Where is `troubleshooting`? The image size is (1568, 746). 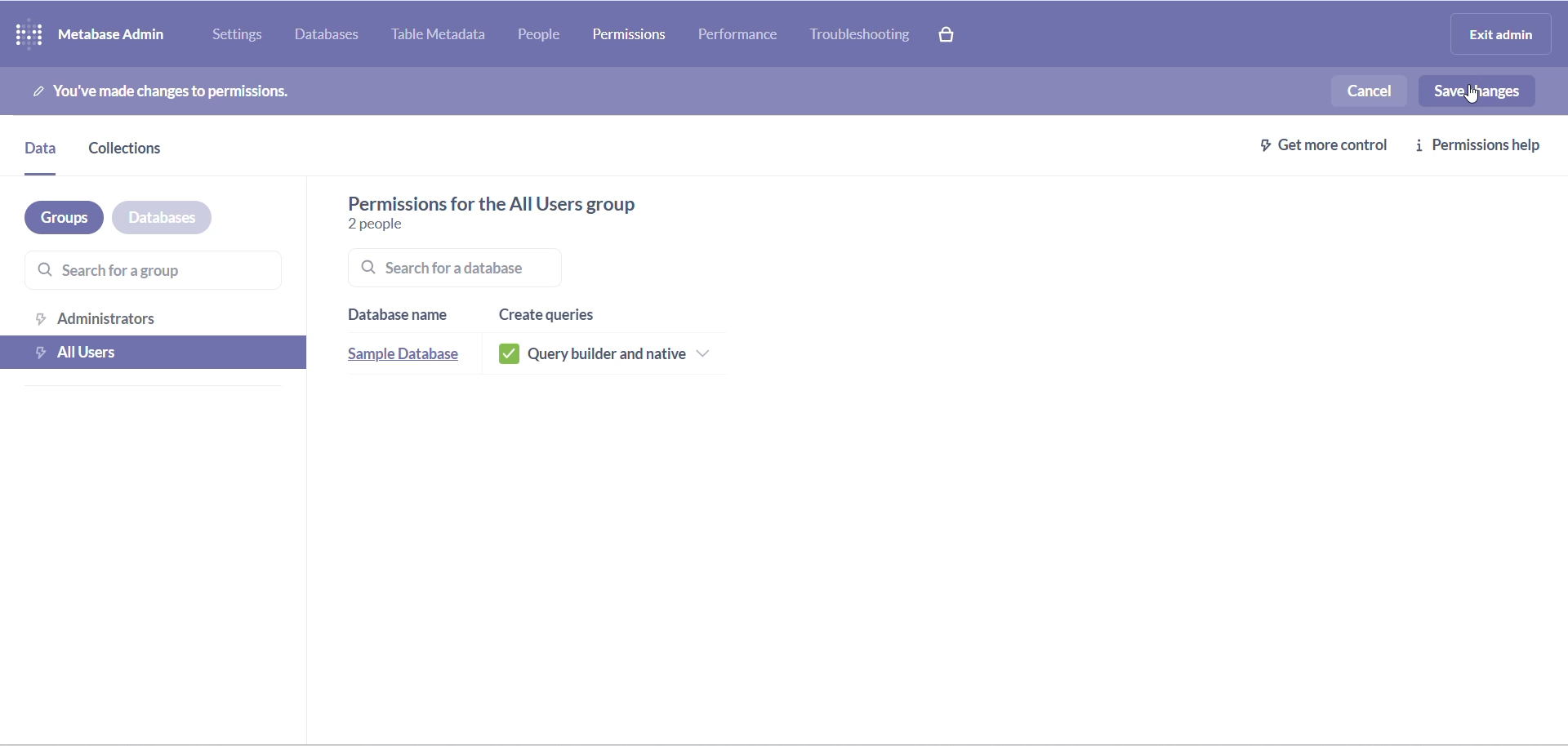 troubleshooting is located at coordinates (868, 37).